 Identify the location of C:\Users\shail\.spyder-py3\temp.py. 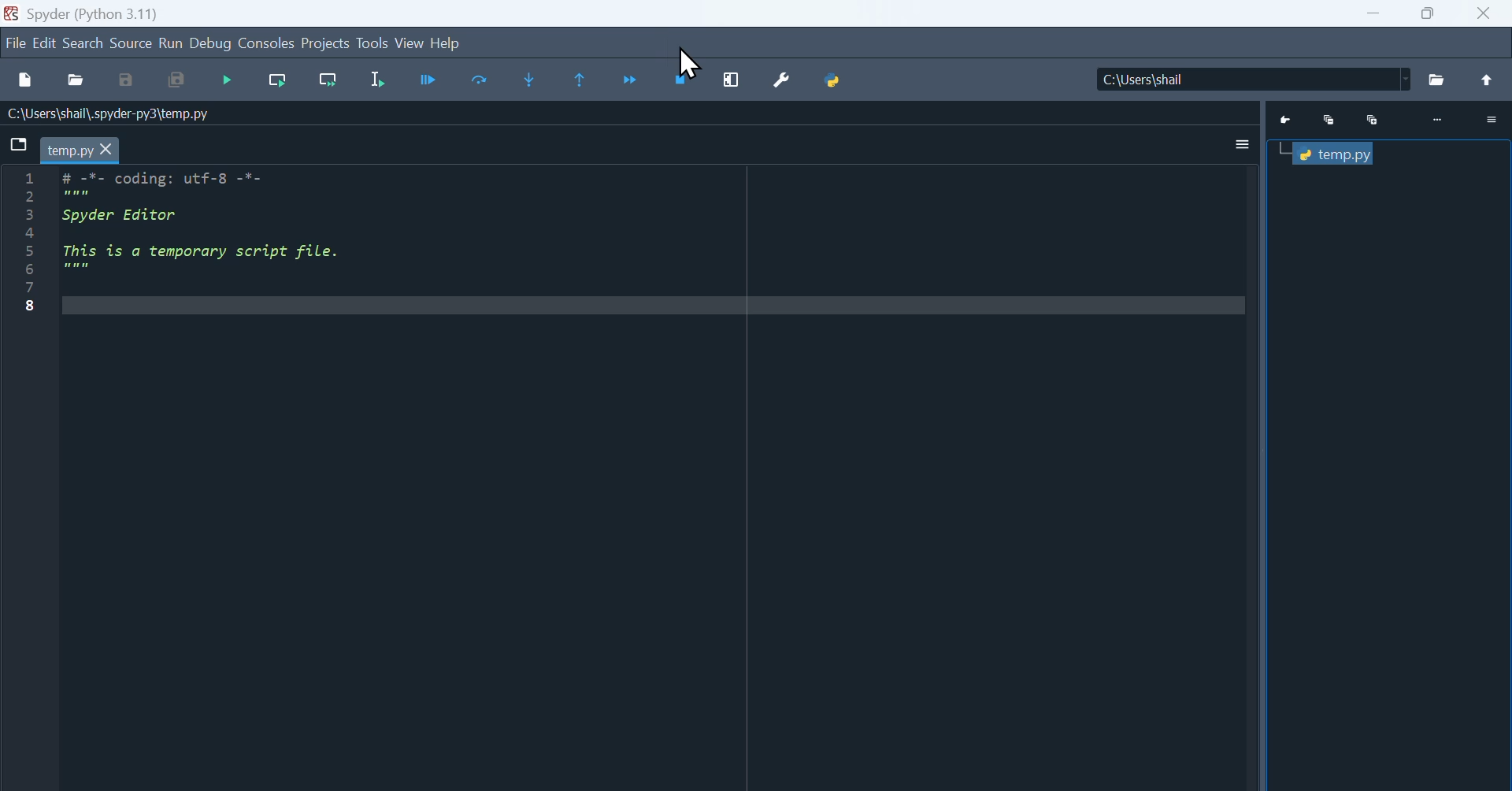
(115, 113).